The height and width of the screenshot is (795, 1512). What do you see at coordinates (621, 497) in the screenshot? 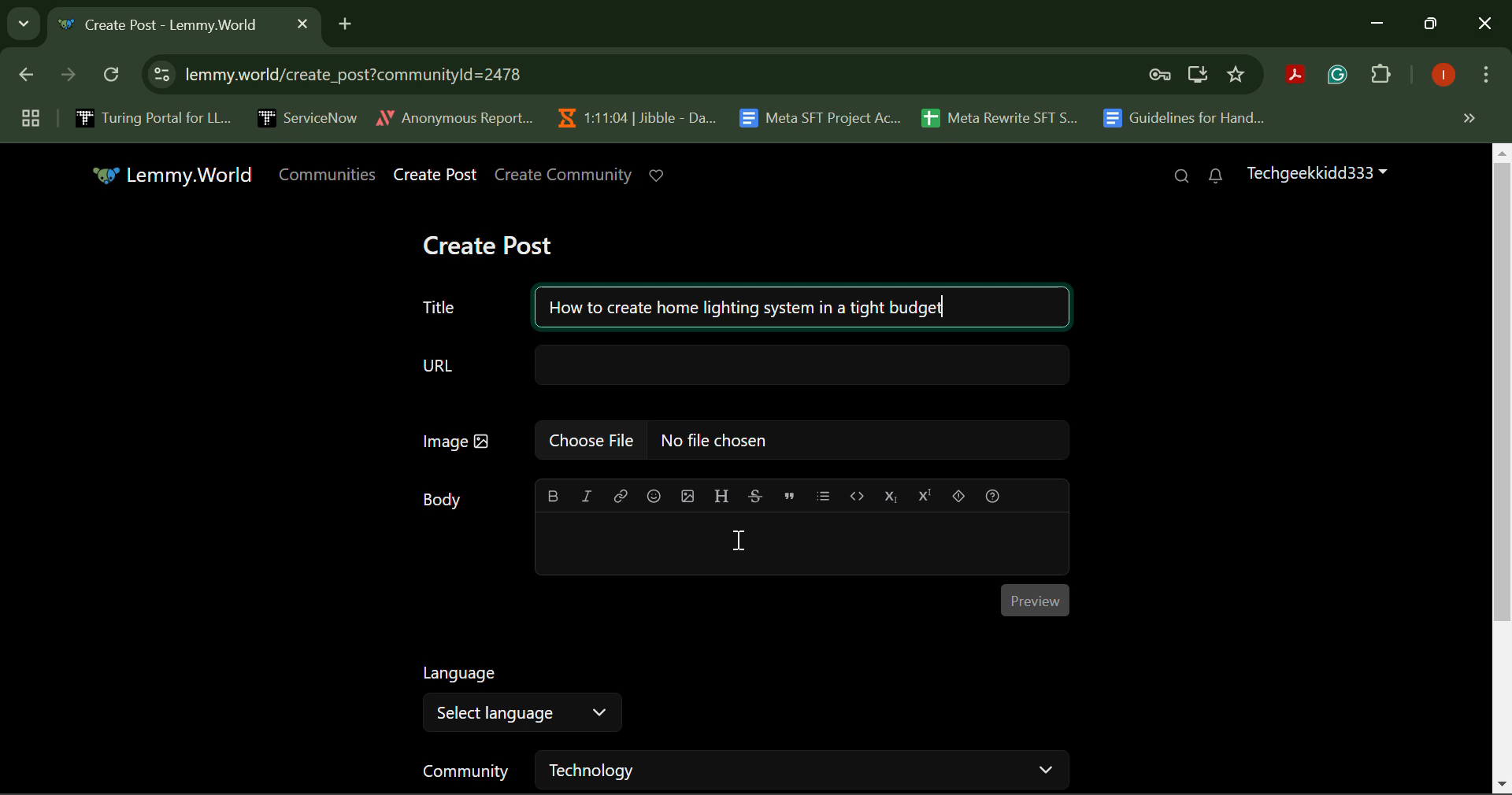
I see `link` at bounding box center [621, 497].